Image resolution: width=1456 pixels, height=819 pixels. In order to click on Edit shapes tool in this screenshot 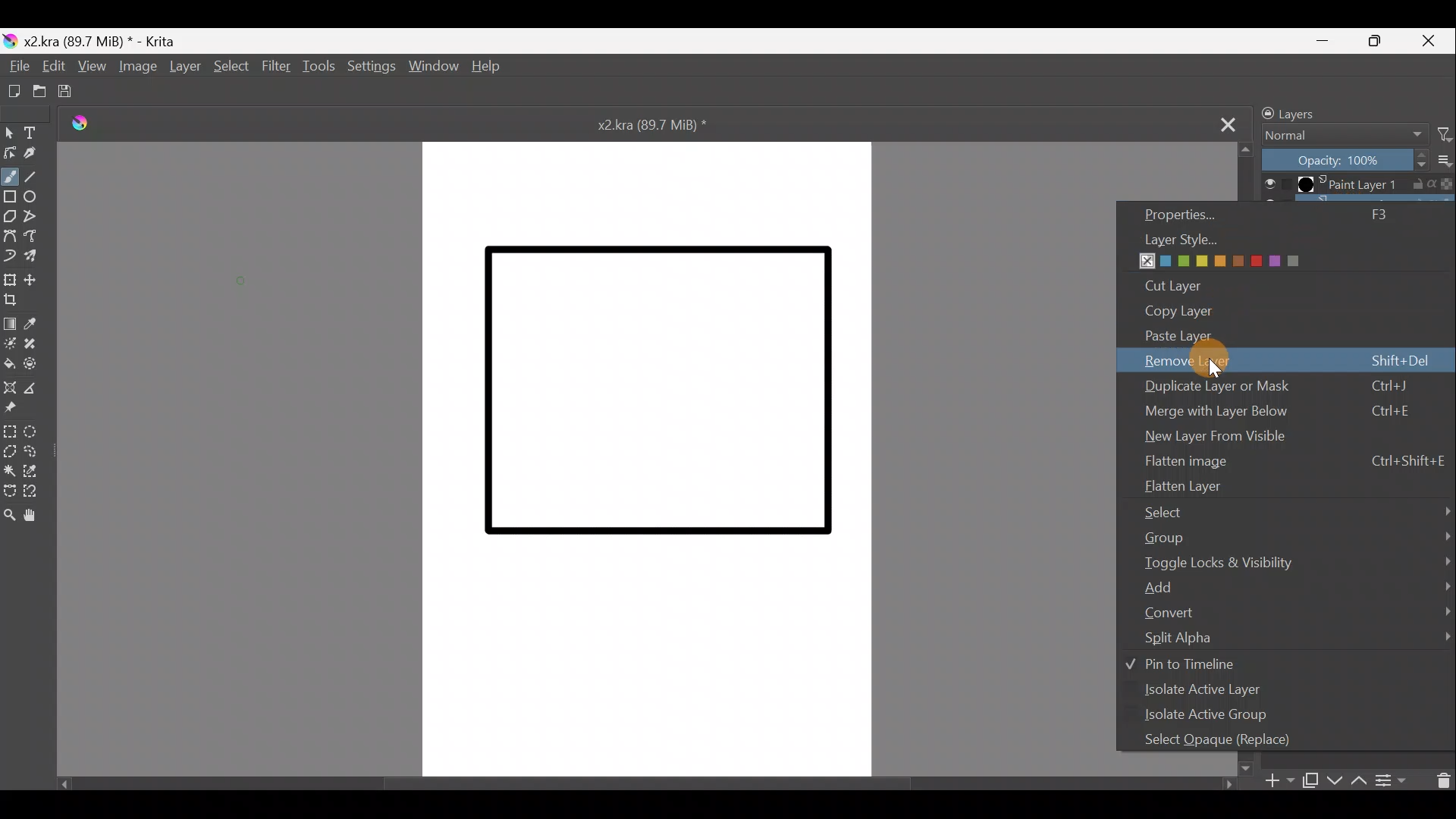, I will do `click(9, 153)`.